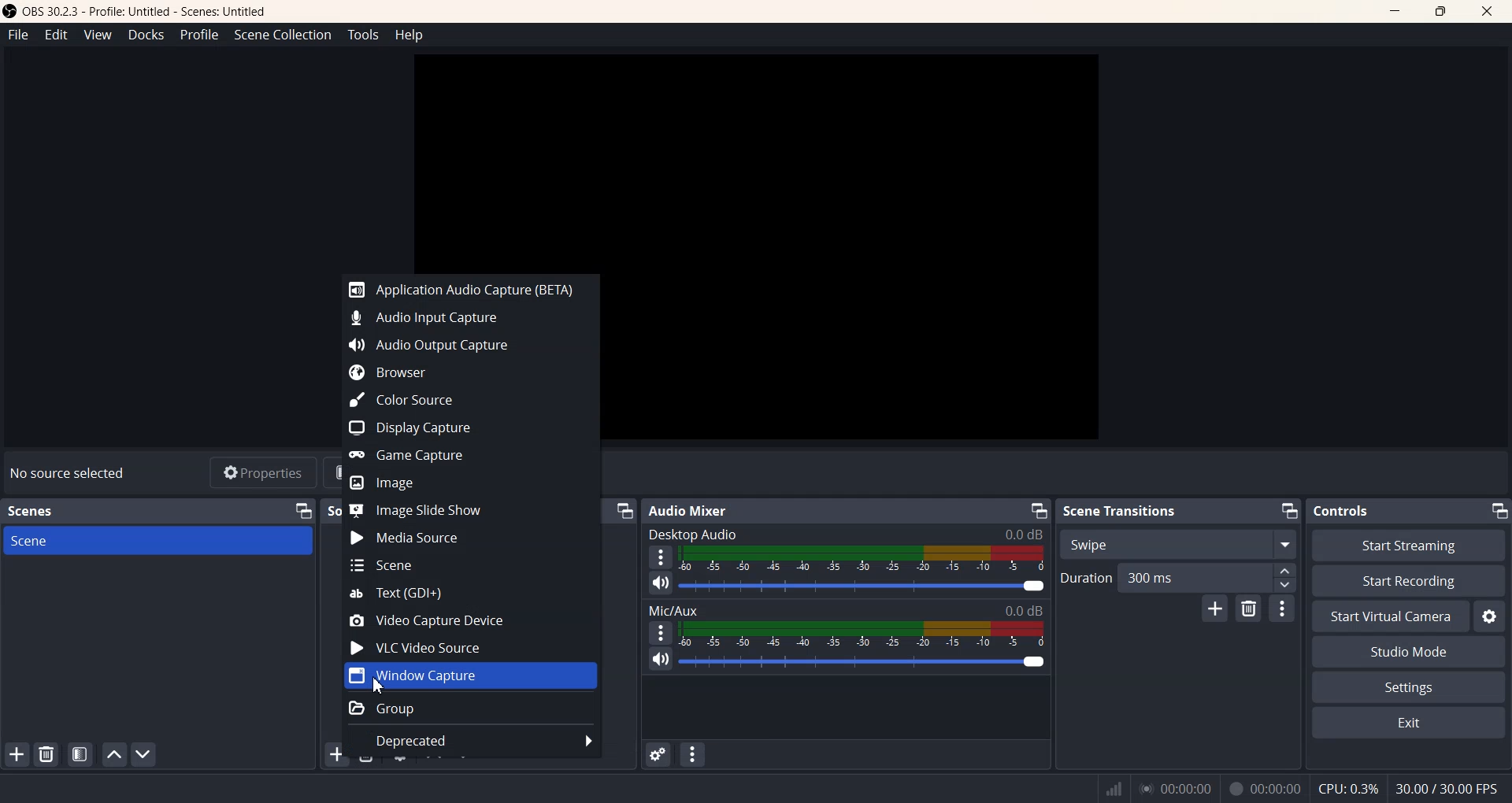 The height and width of the screenshot is (803, 1512). What do you see at coordinates (659, 557) in the screenshot?
I see `More` at bounding box center [659, 557].